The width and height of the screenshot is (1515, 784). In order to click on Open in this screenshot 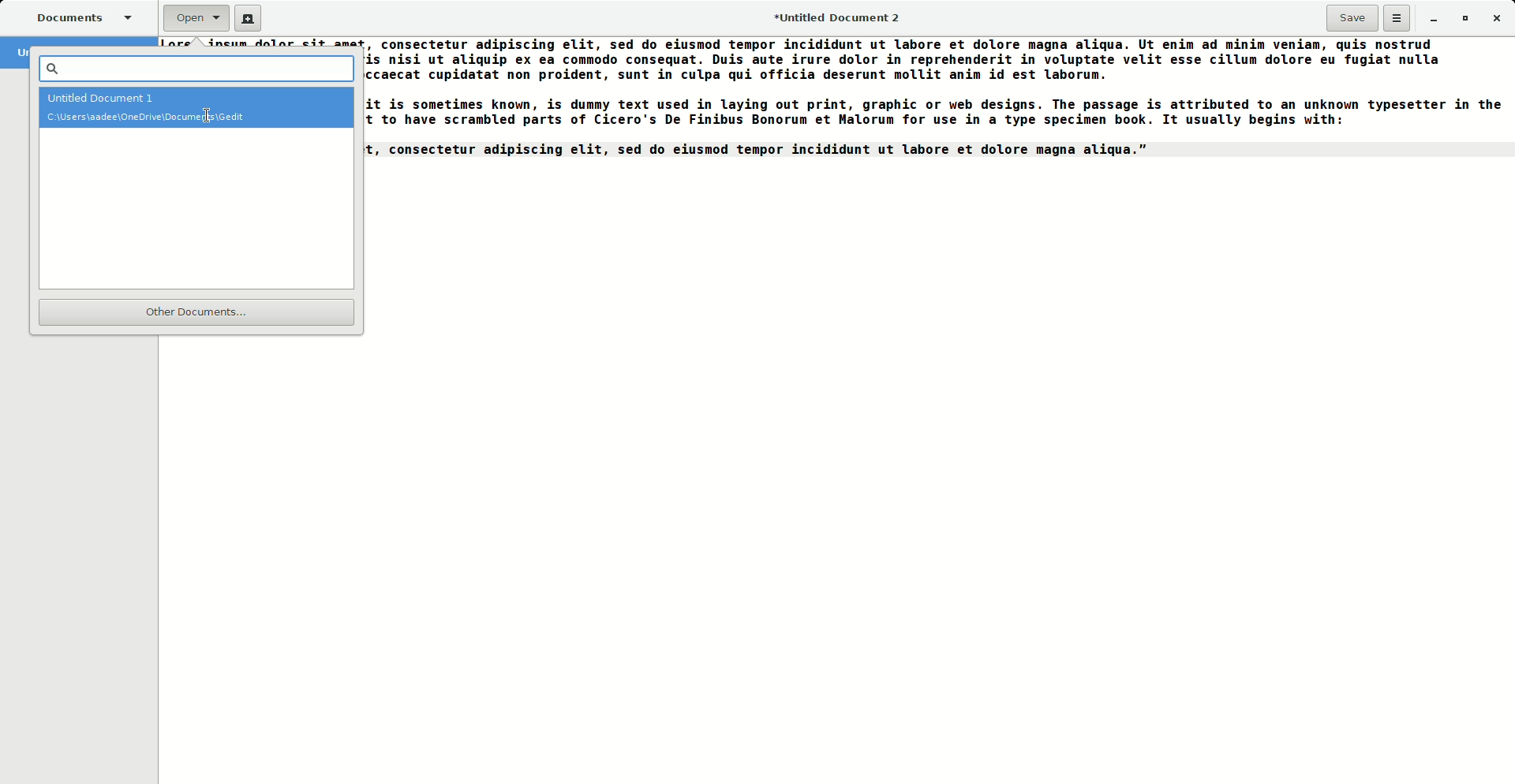, I will do `click(196, 19)`.